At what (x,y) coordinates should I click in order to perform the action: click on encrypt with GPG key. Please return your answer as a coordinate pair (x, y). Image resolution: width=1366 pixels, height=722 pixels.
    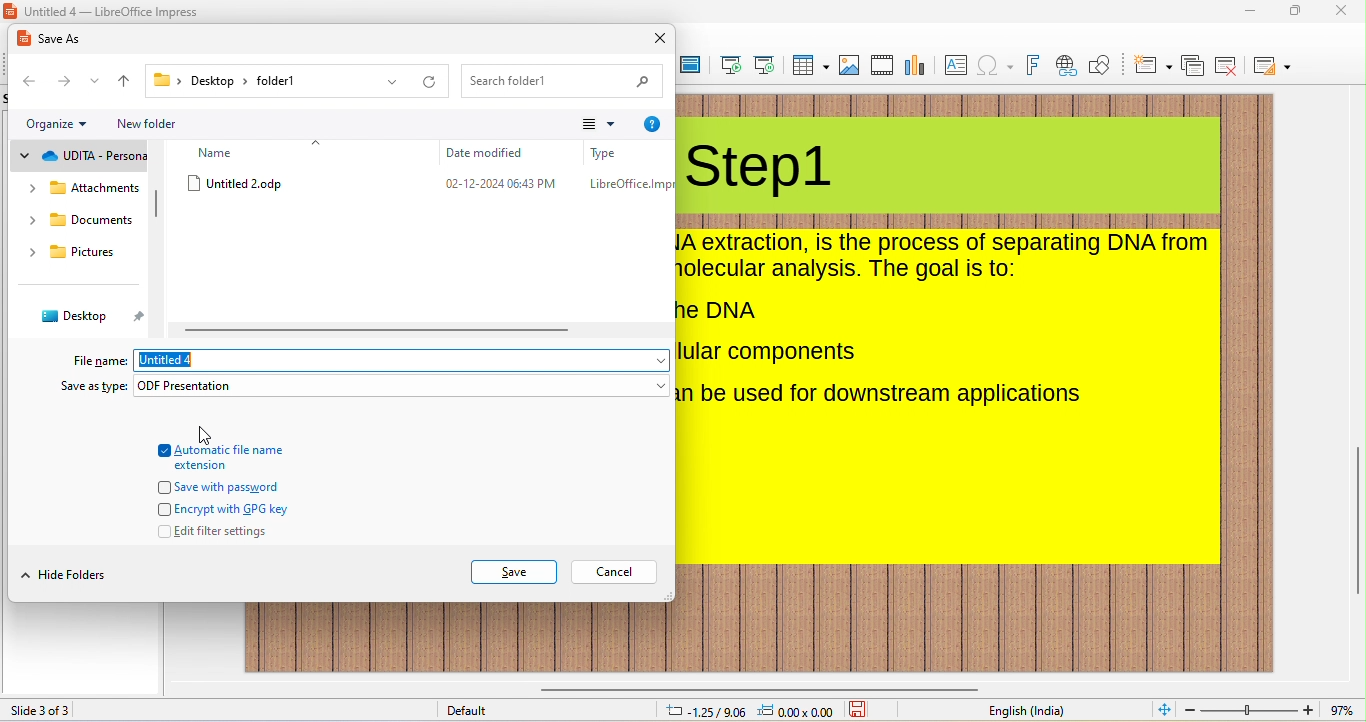
    Looking at the image, I should click on (243, 509).